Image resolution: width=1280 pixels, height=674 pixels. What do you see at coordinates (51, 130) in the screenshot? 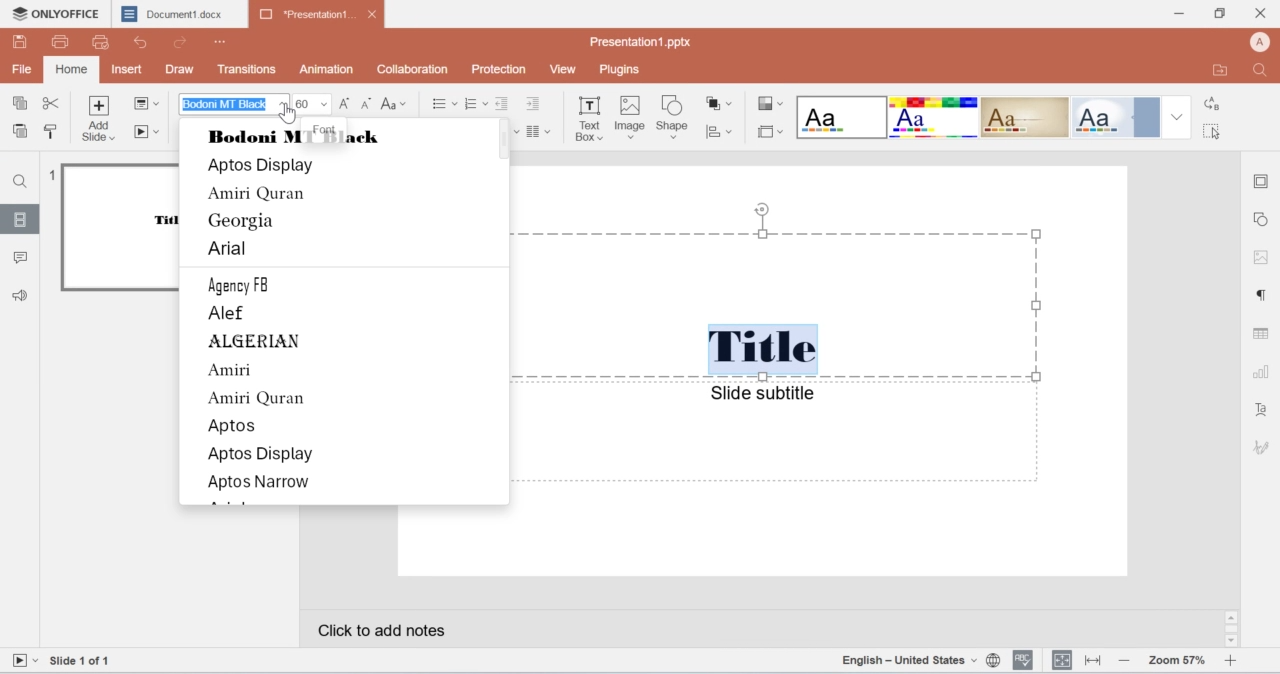
I see `paint` at bounding box center [51, 130].